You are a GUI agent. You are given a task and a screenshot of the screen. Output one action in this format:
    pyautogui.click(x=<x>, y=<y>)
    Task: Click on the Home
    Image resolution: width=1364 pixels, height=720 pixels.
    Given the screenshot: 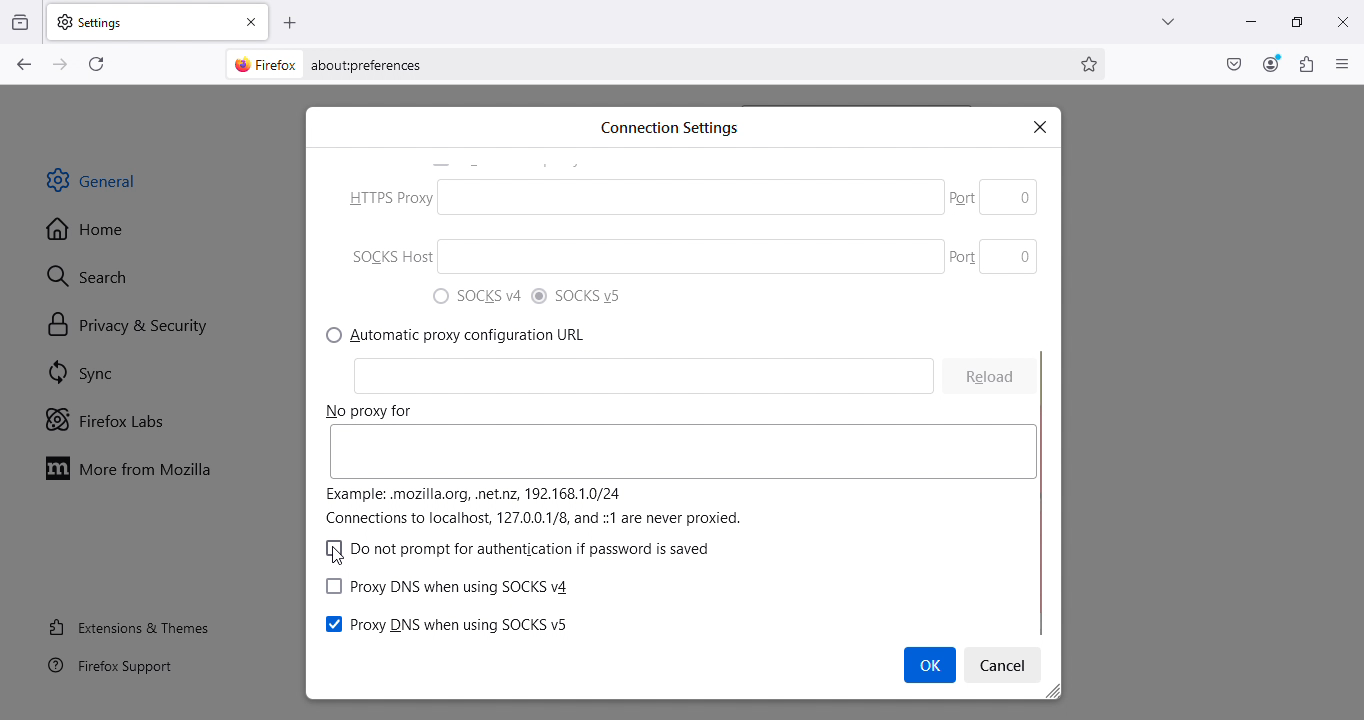 What is the action you would take?
    pyautogui.click(x=86, y=230)
    